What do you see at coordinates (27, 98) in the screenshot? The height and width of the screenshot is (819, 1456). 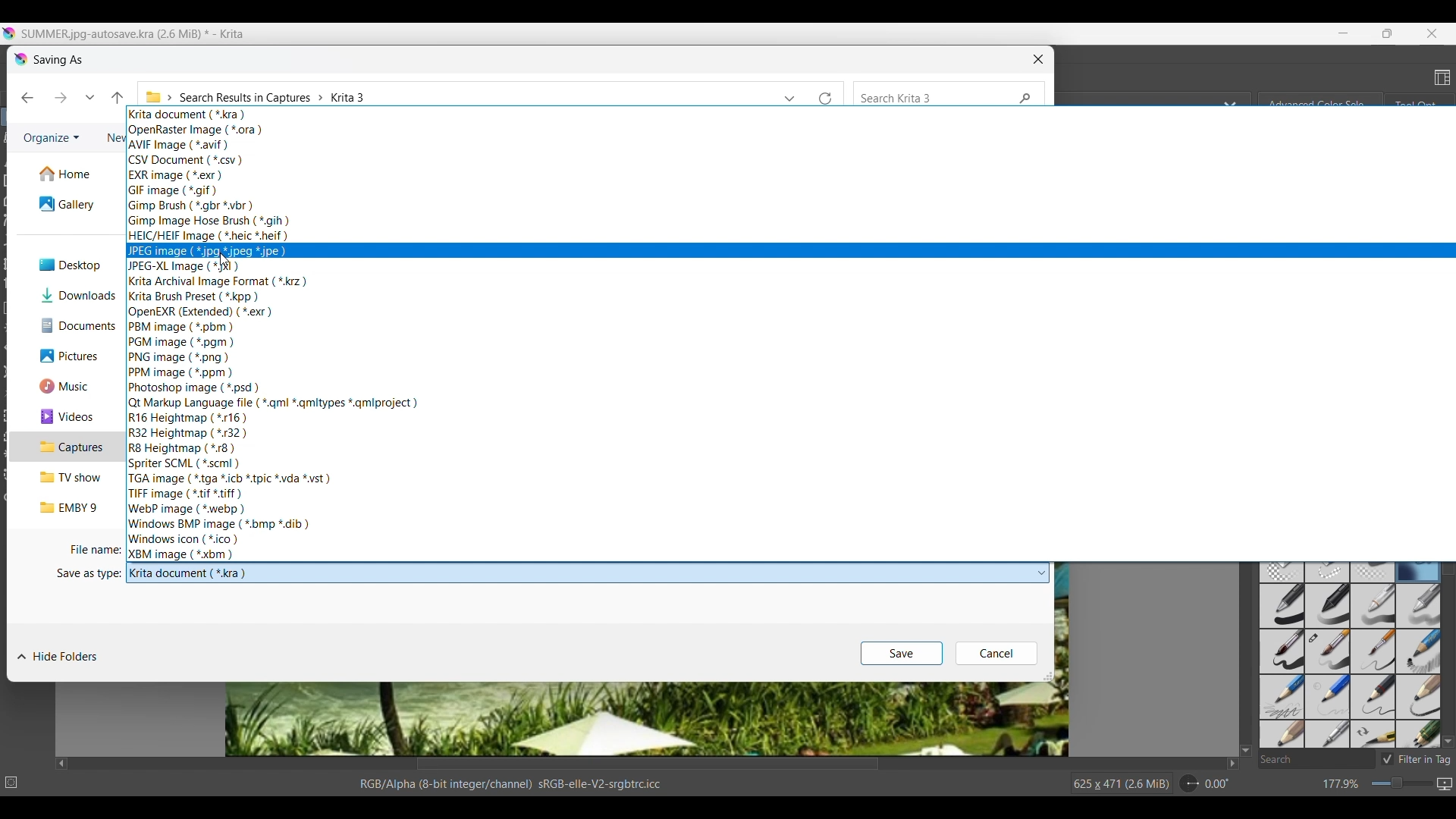 I see `Go back` at bounding box center [27, 98].